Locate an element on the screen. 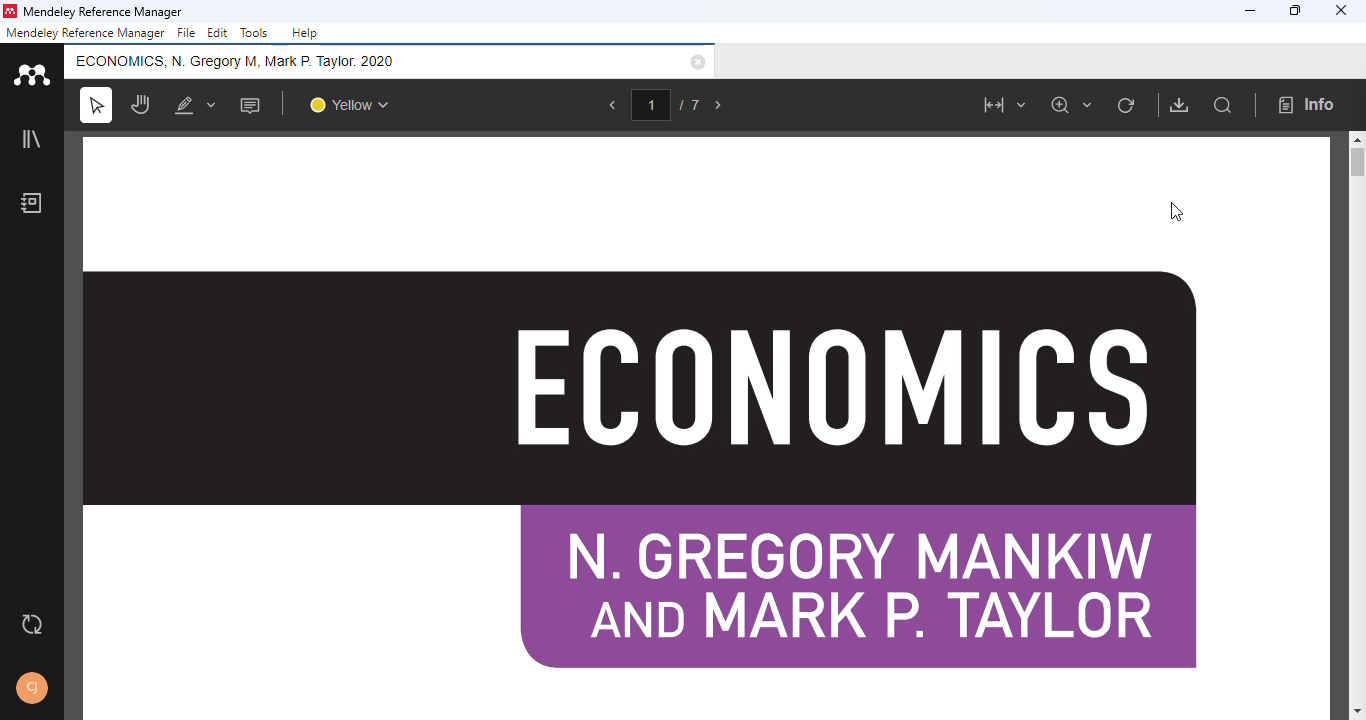  logo is located at coordinates (12, 11).